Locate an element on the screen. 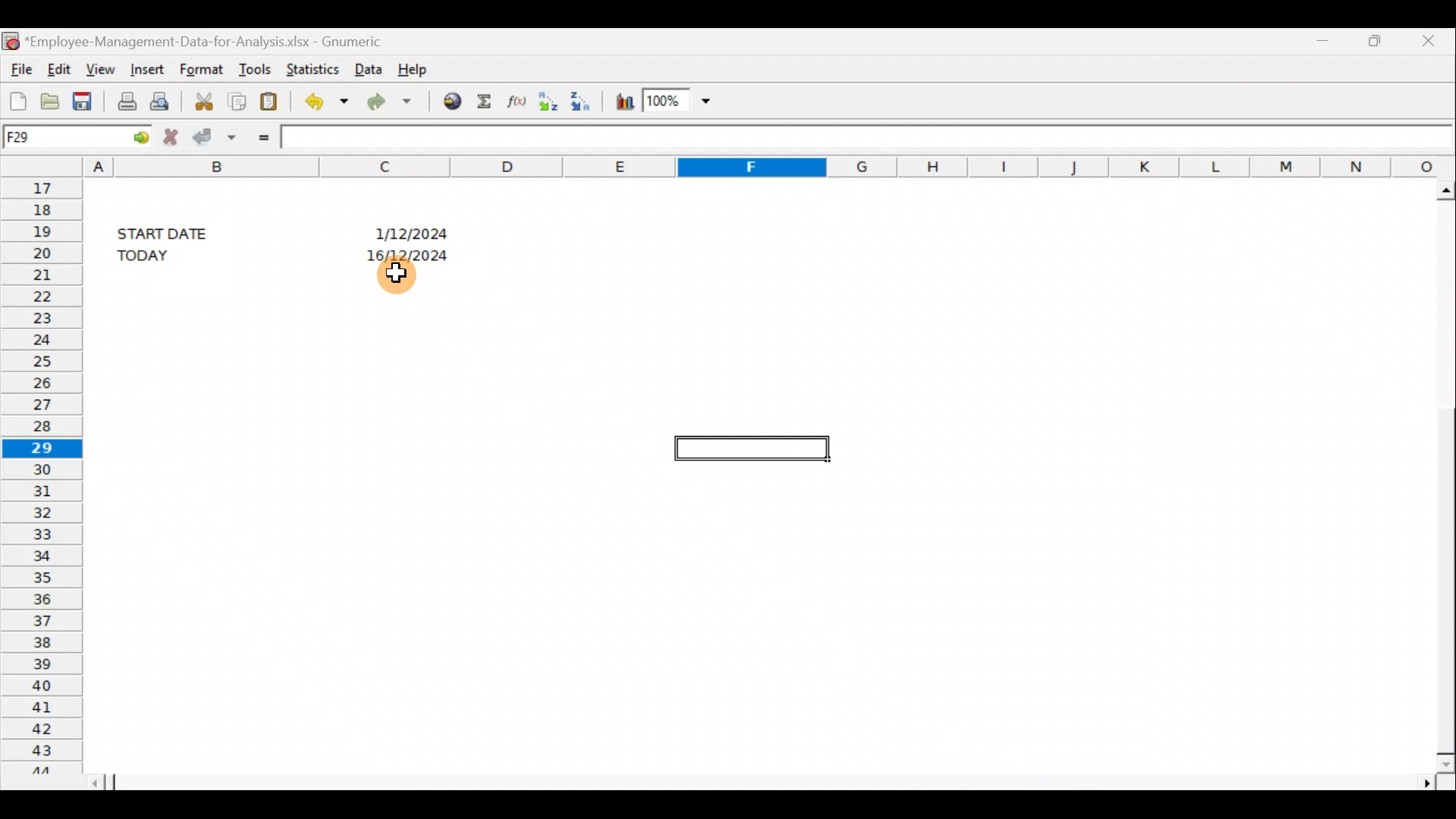  1/12/2024 is located at coordinates (414, 231).